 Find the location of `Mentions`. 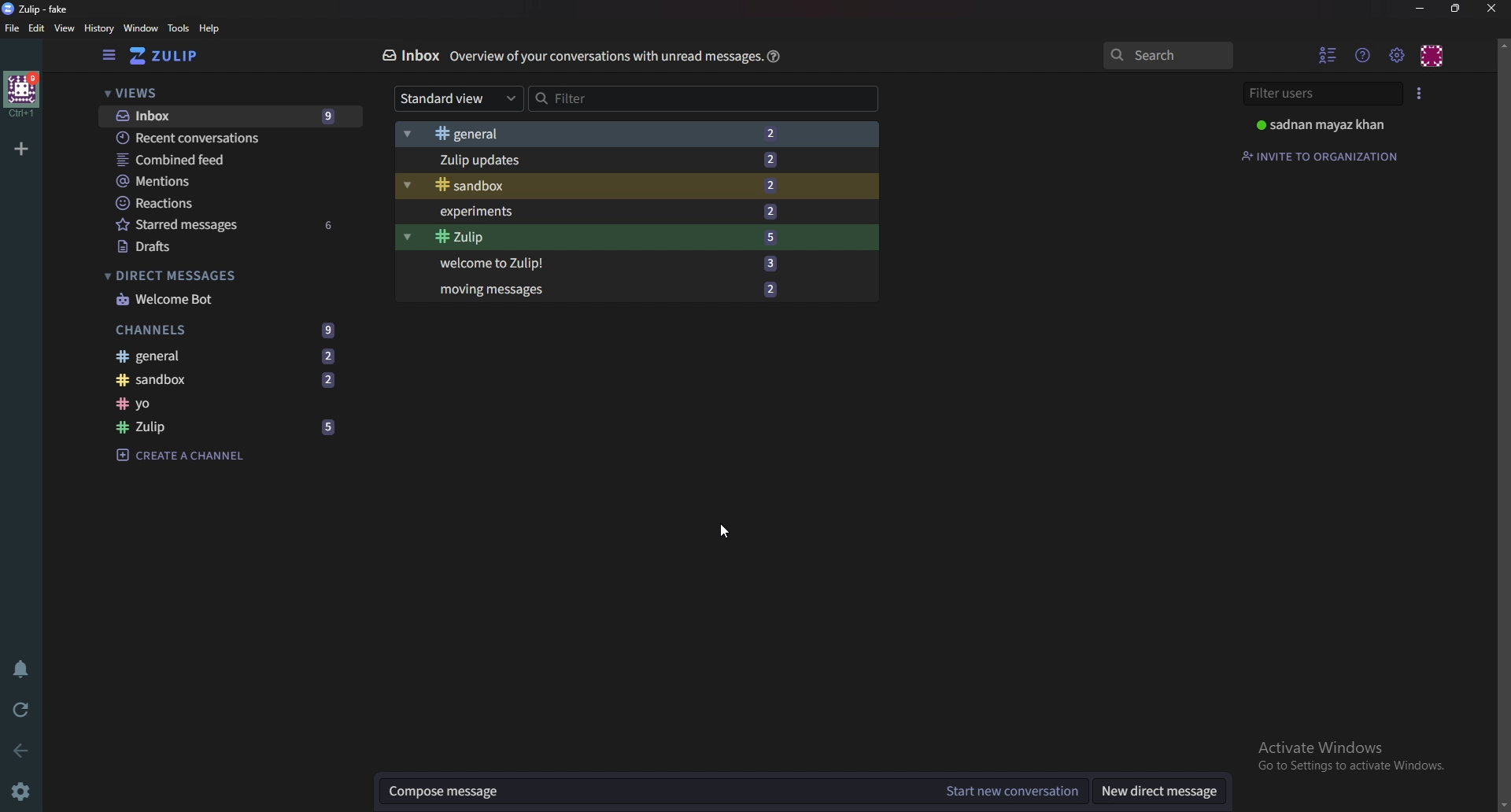

Mentions is located at coordinates (224, 183).